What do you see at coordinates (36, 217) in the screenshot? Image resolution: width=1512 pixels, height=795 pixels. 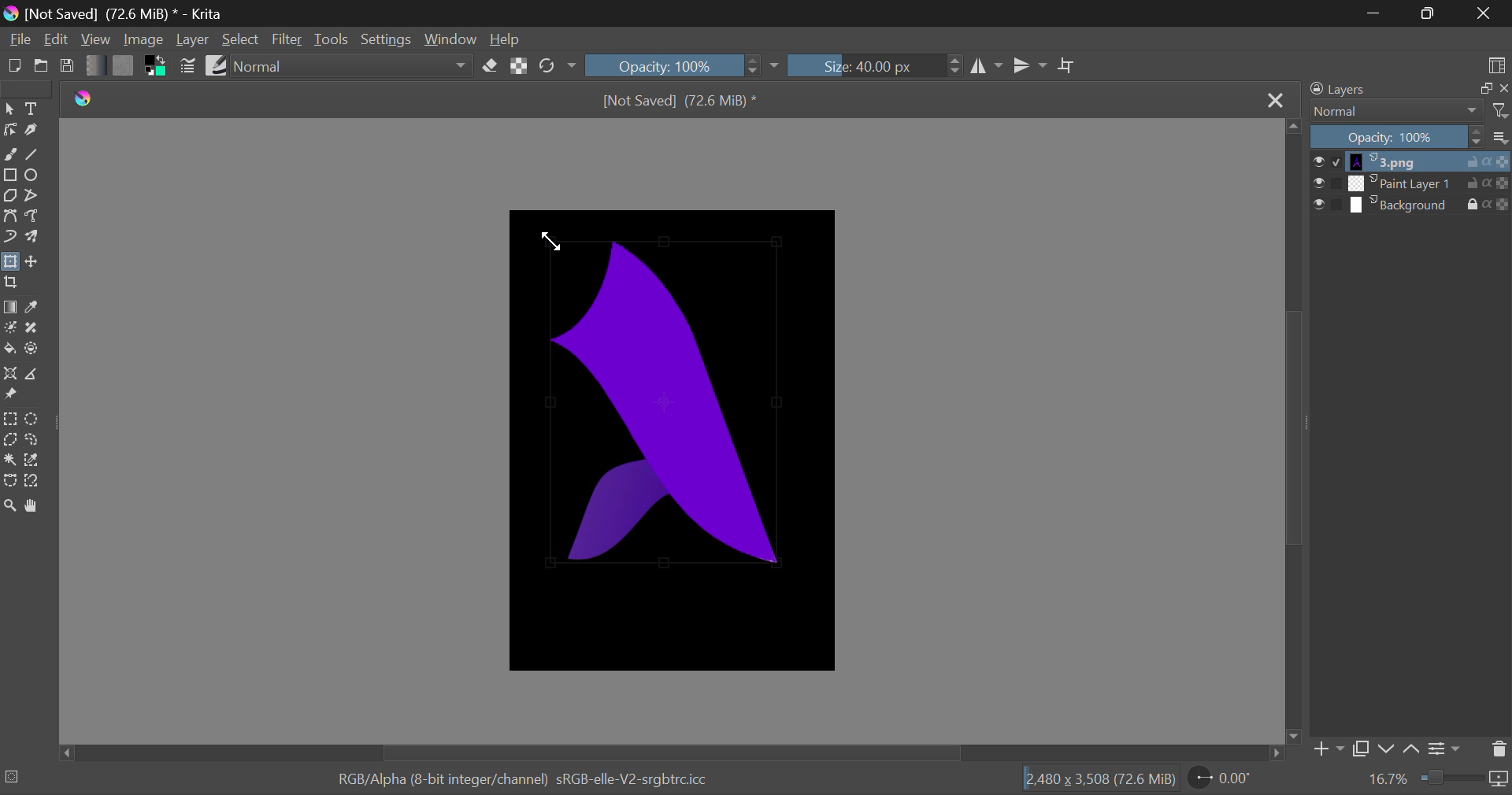 I see `Freehand Path Tool` at bounding box center [36, 217].